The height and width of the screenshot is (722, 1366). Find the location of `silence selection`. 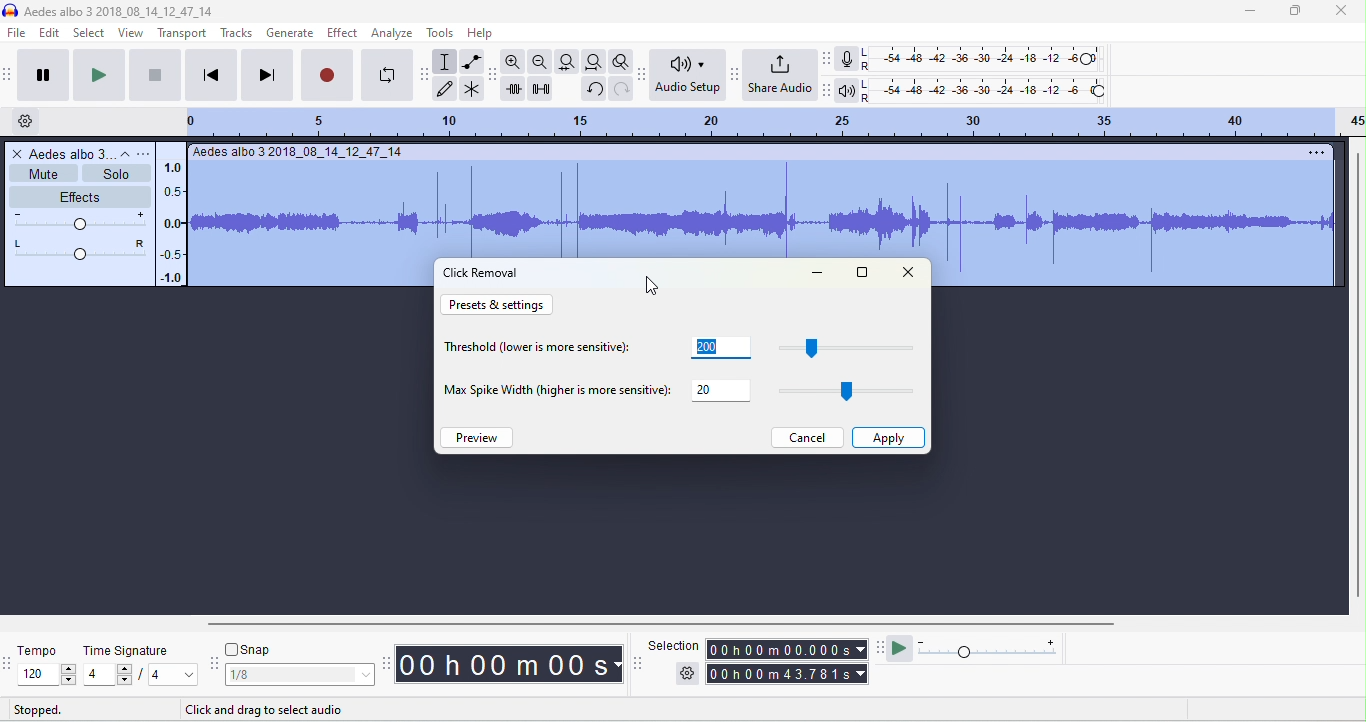

silence selection is located at coordinates (541, 88).